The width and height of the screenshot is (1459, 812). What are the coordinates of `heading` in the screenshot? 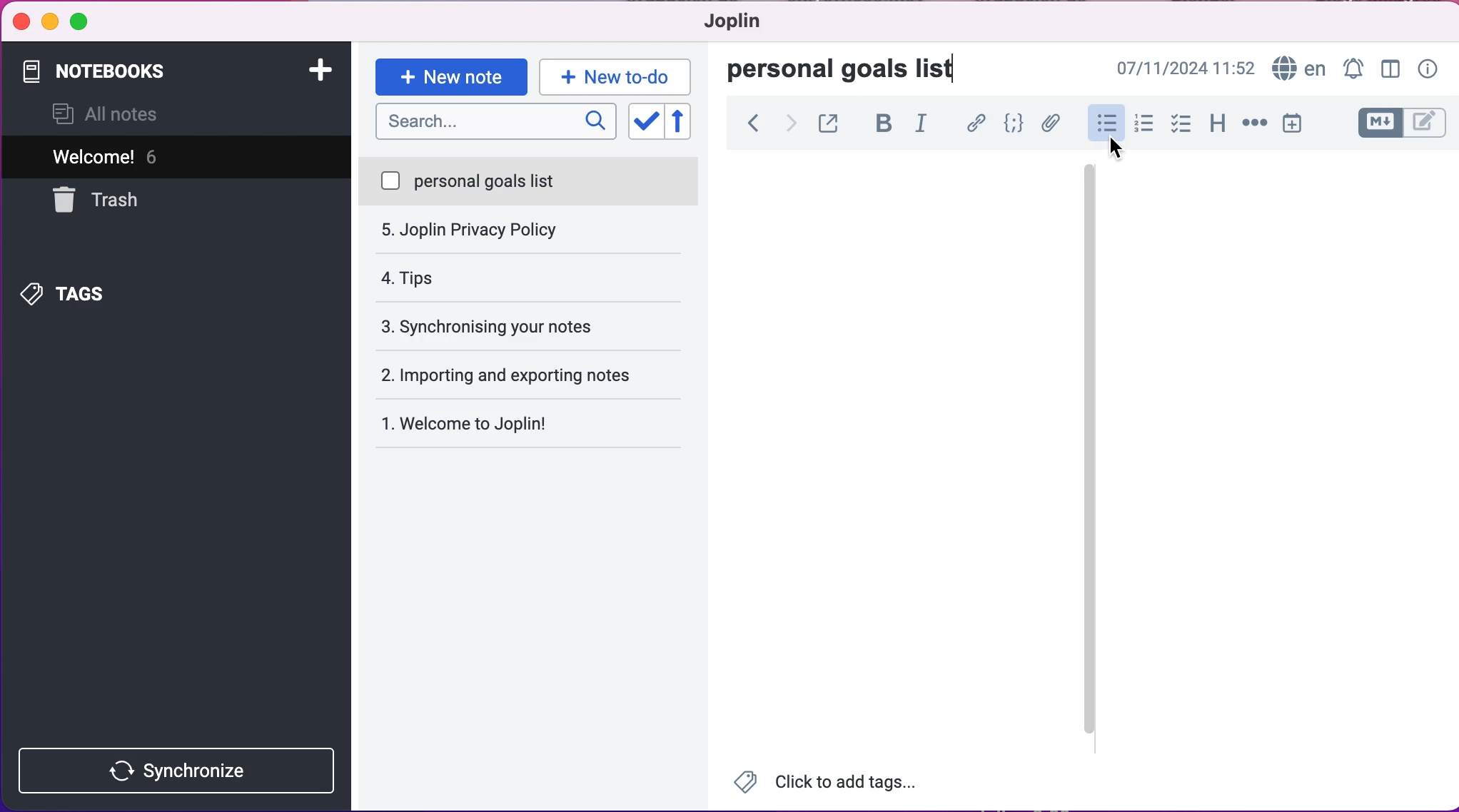 It's located at (1217, 127).